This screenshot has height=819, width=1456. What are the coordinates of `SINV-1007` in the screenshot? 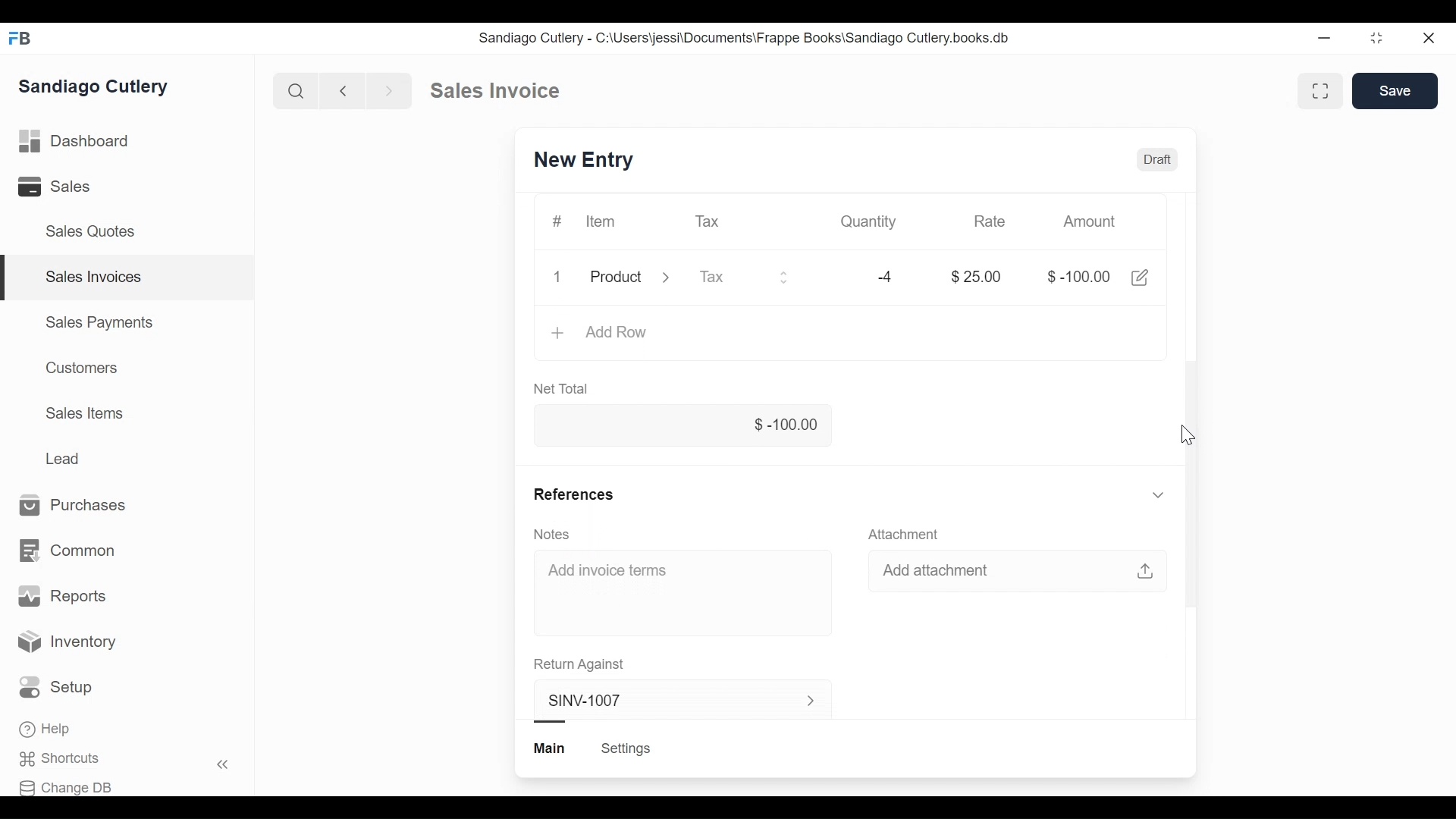 It's located at (585, 158).